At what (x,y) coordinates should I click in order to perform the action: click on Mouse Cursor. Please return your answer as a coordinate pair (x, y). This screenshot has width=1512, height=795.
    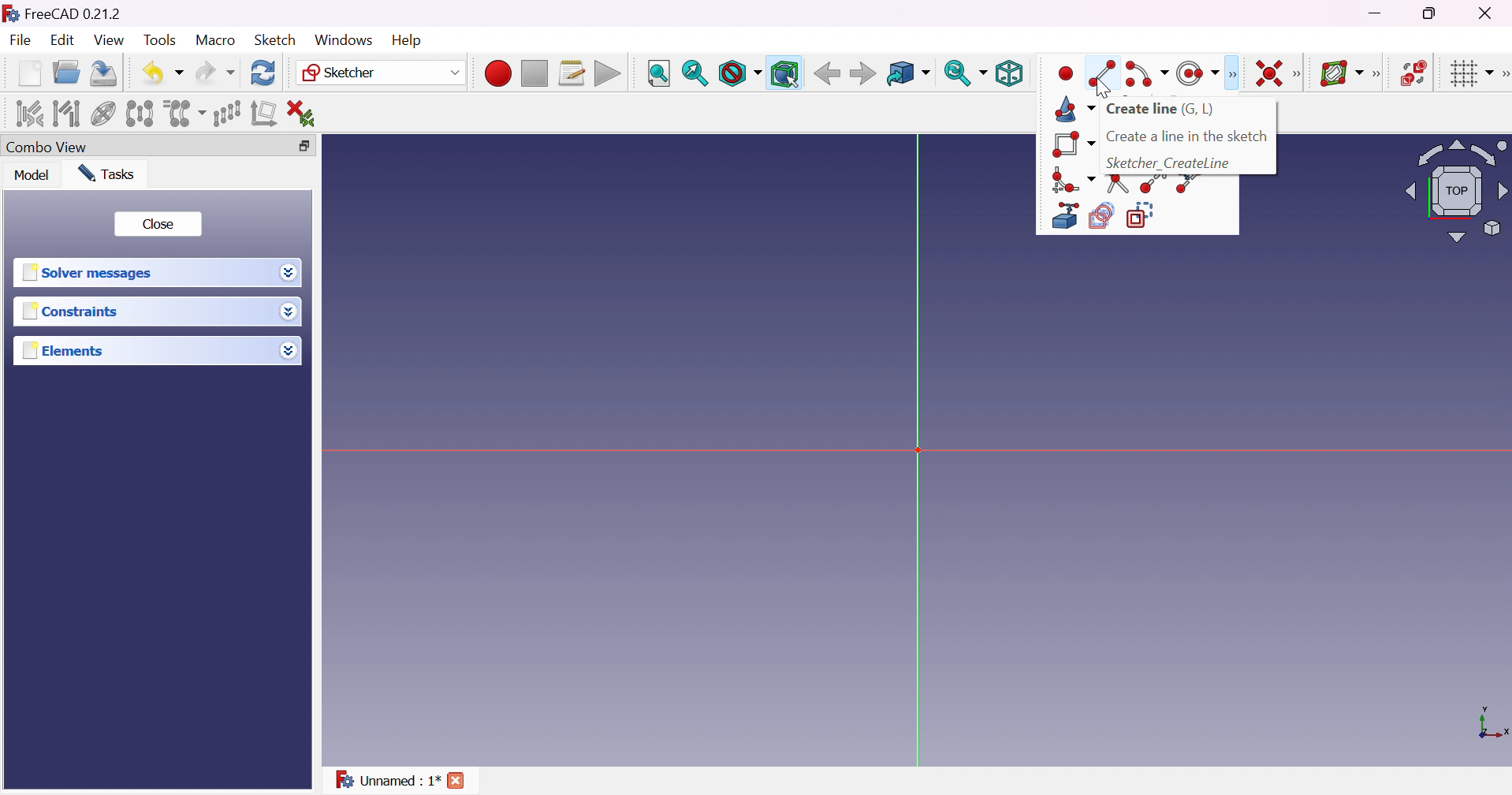
    Looking at the image, I should click on (1102, 88).